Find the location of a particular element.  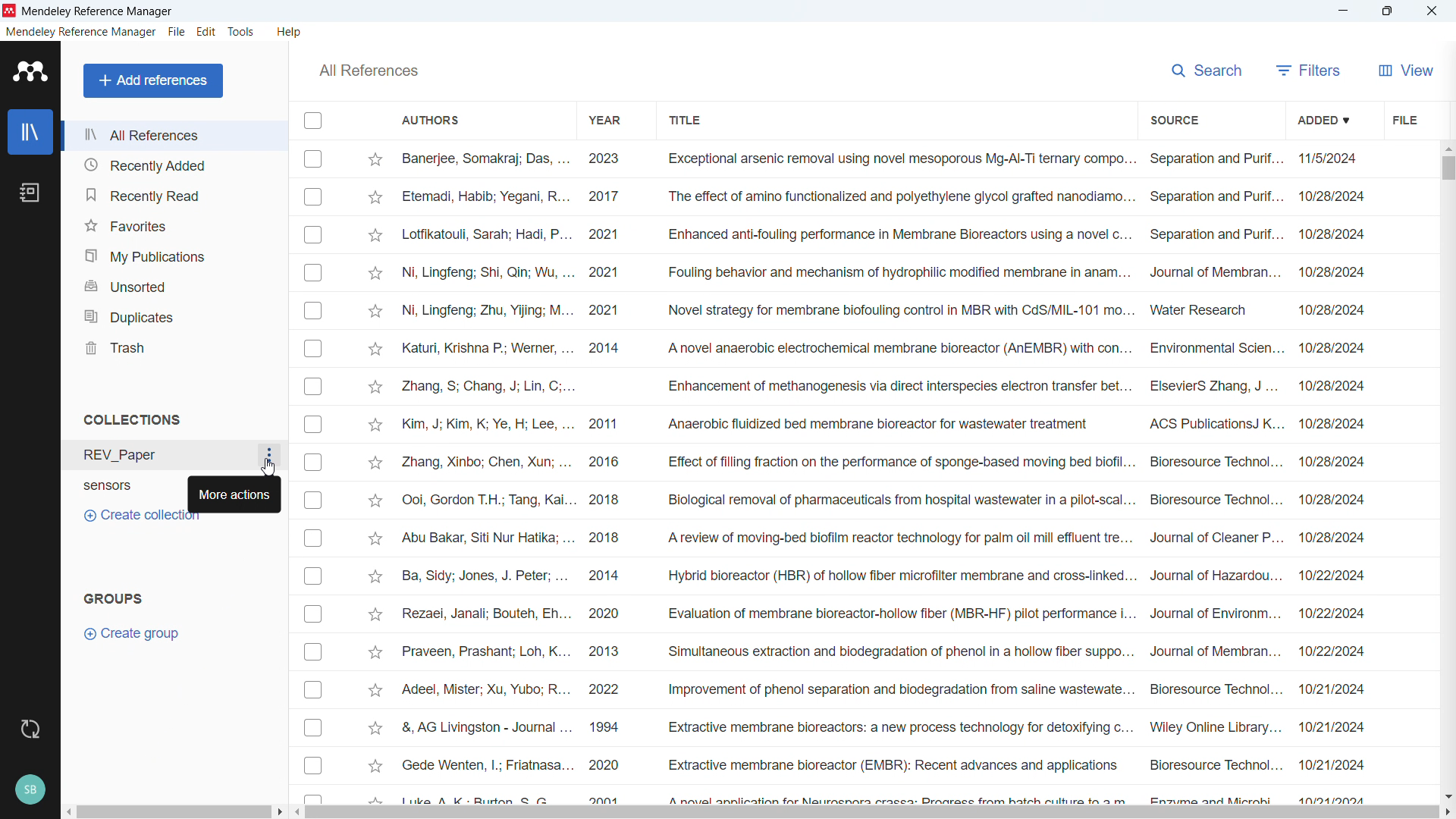

Select respective publication is located at coordinates (313, 764).